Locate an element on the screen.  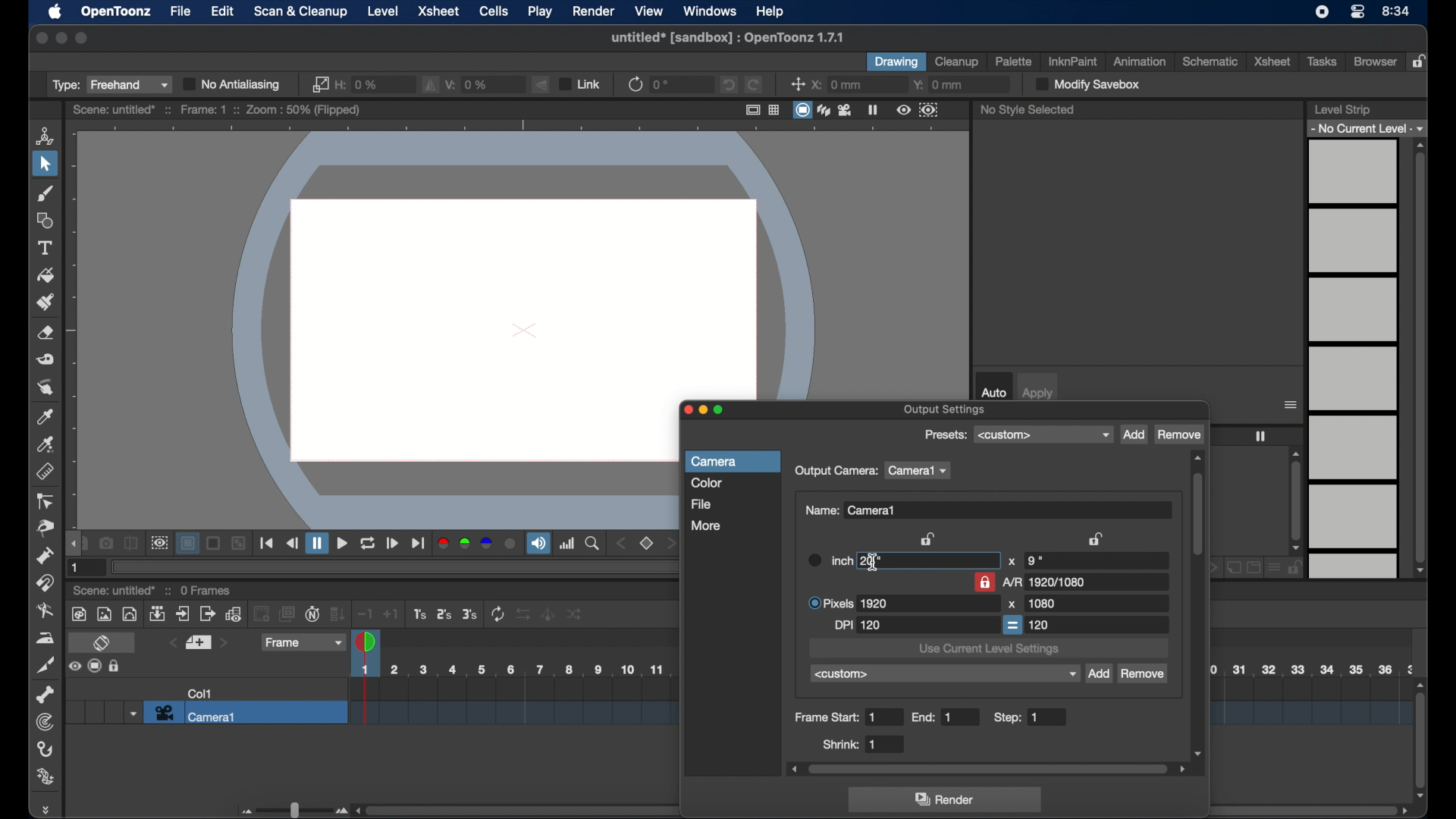
center is located at coordinates (798, 84).